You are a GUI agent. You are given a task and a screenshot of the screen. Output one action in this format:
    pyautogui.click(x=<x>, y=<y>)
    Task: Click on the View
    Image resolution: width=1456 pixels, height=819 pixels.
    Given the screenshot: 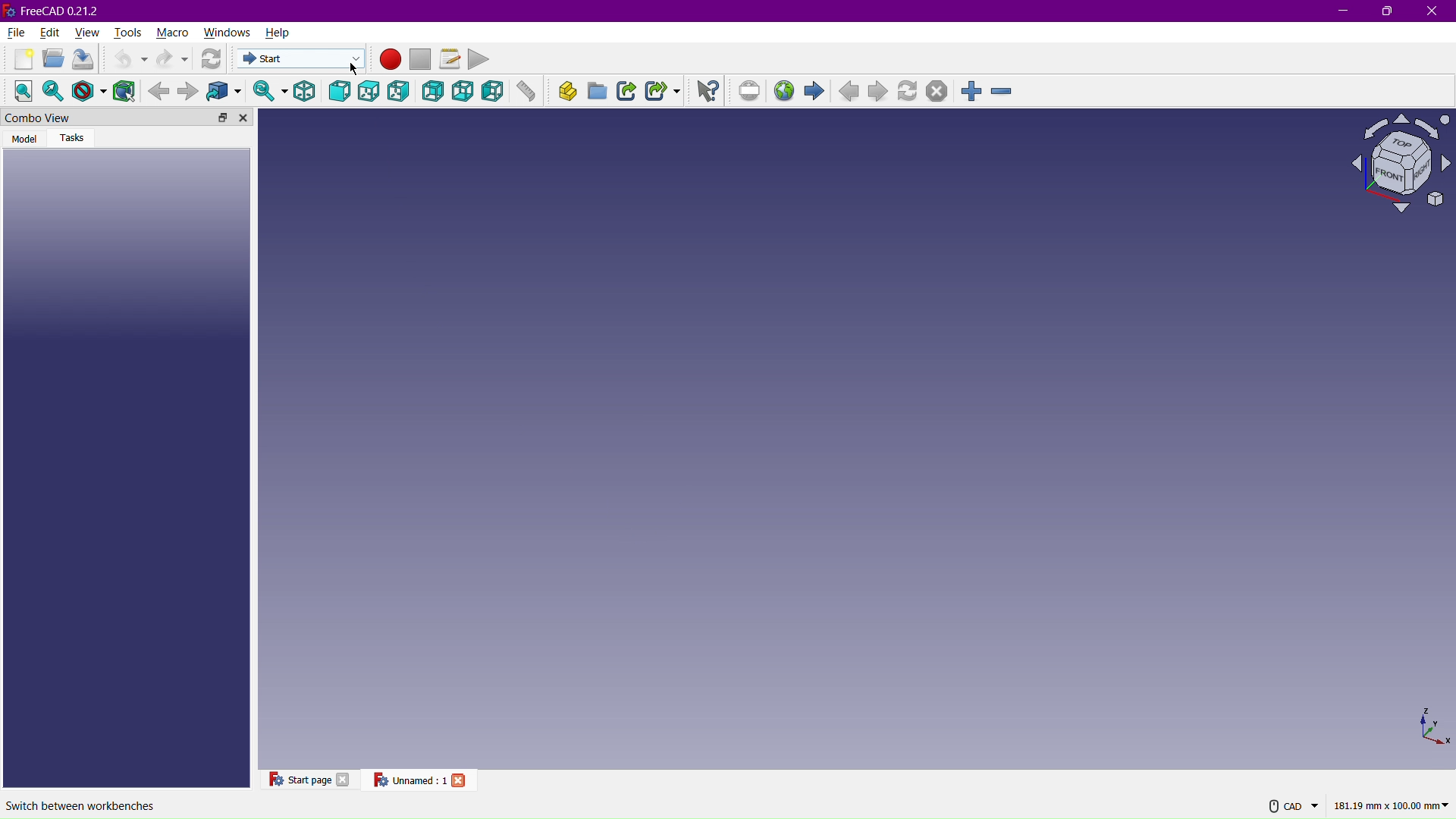 What is the action you would take?
    pyautogui.click(x=89, y=30)
    